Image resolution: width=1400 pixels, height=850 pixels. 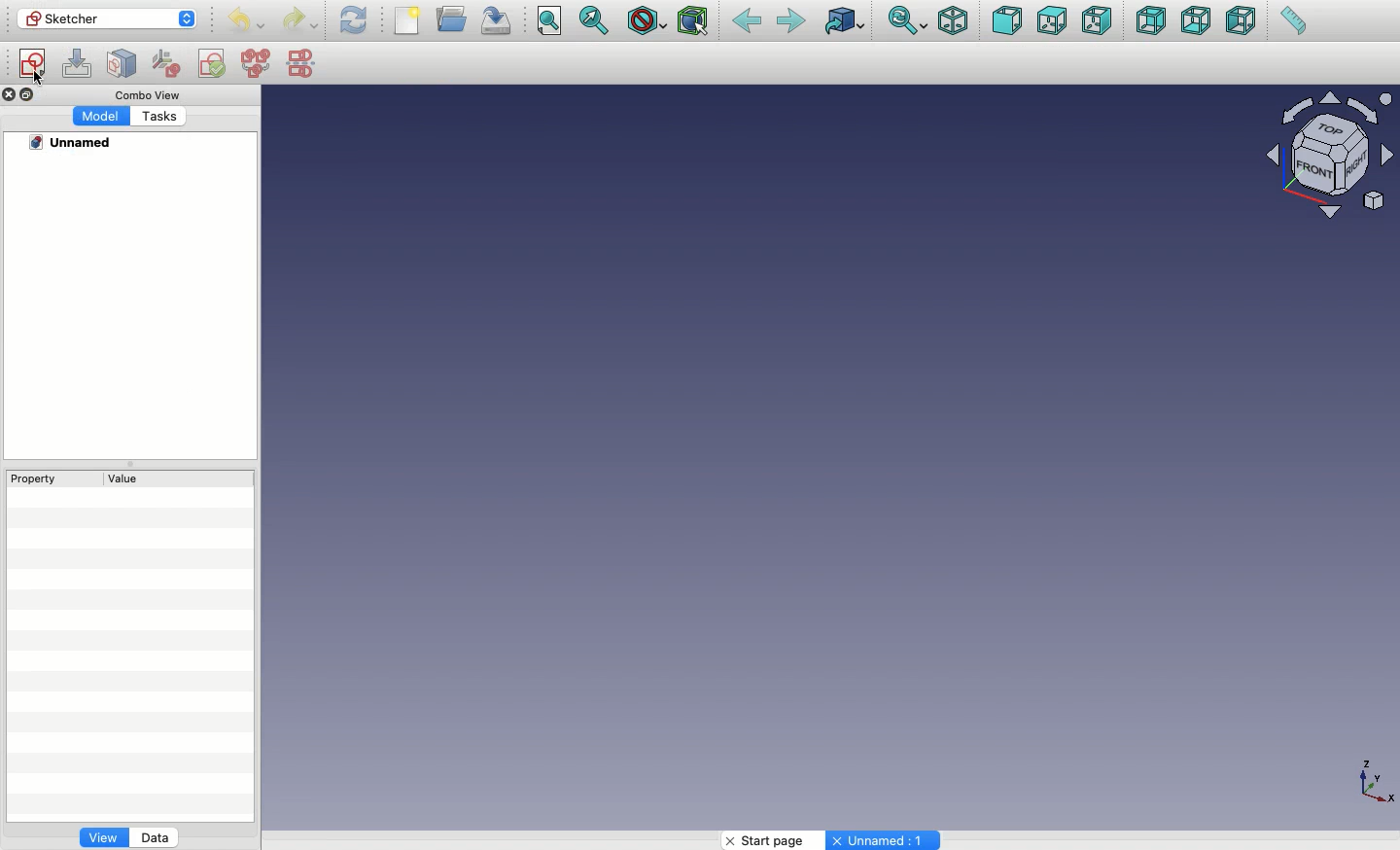 I want to click on , so click(x=159, y=117).